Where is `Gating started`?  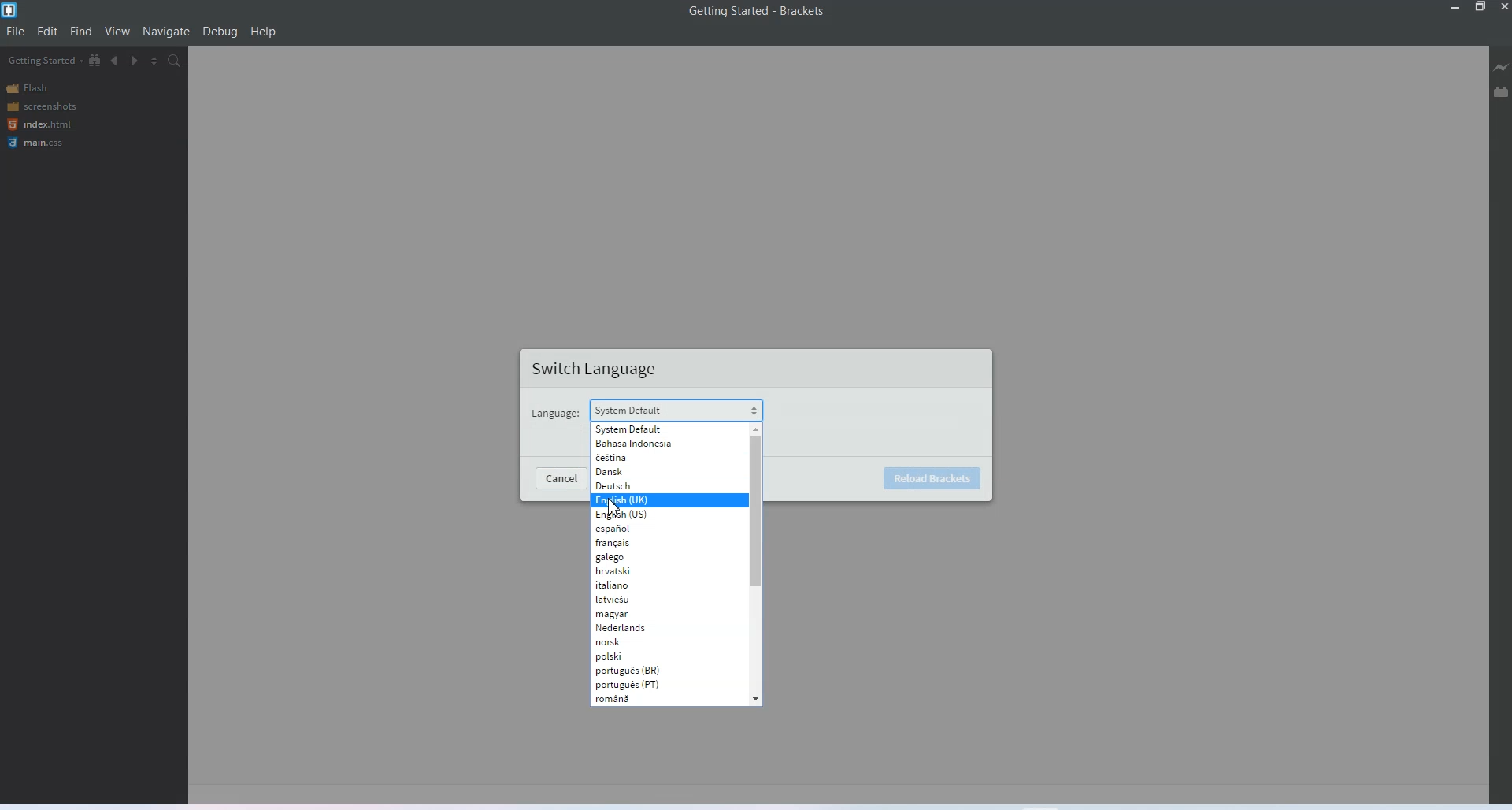 Gating started is located at coordinates (40, 61).